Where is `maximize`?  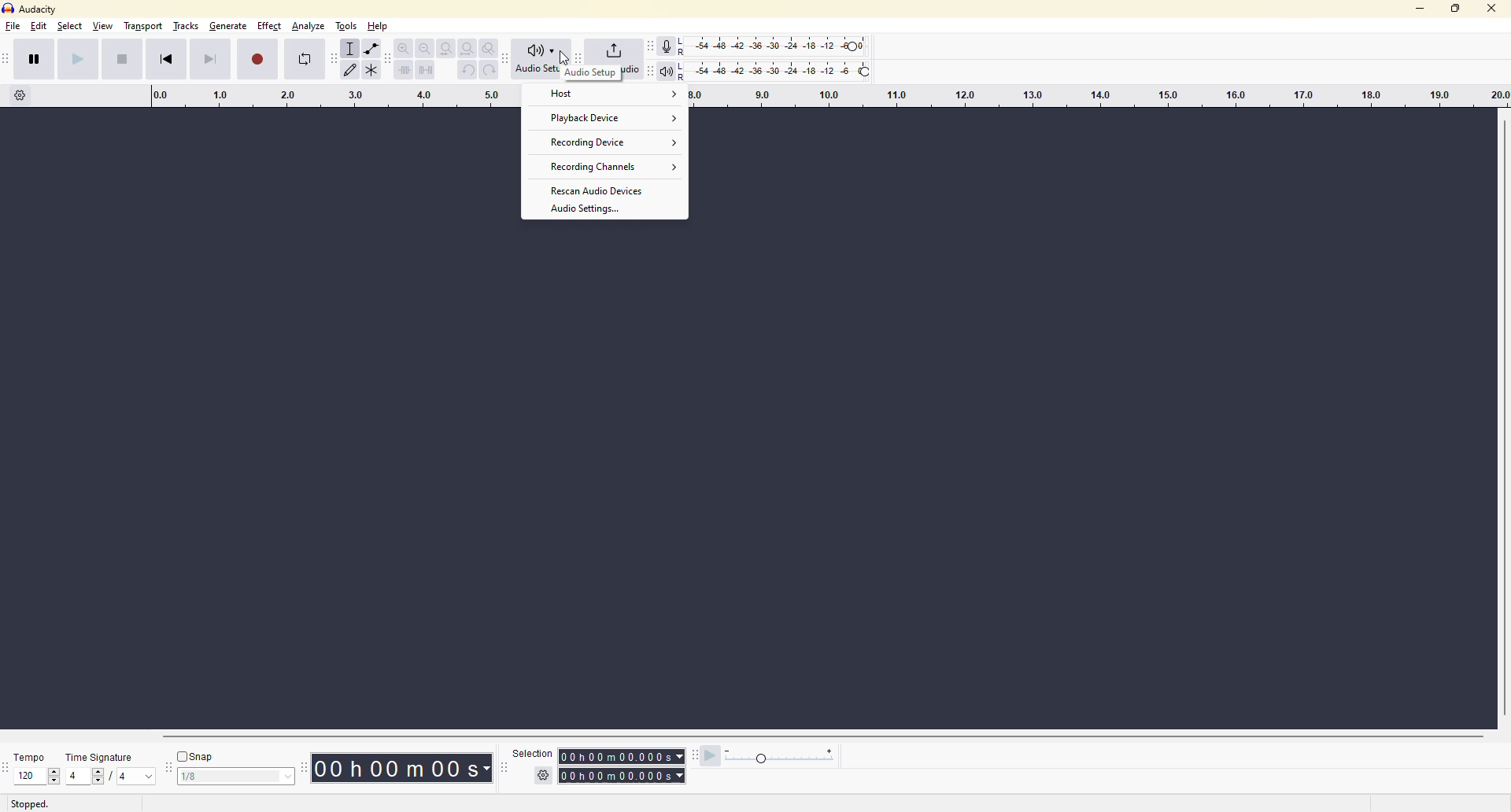 maximize is located at coordinates (1457, 9).